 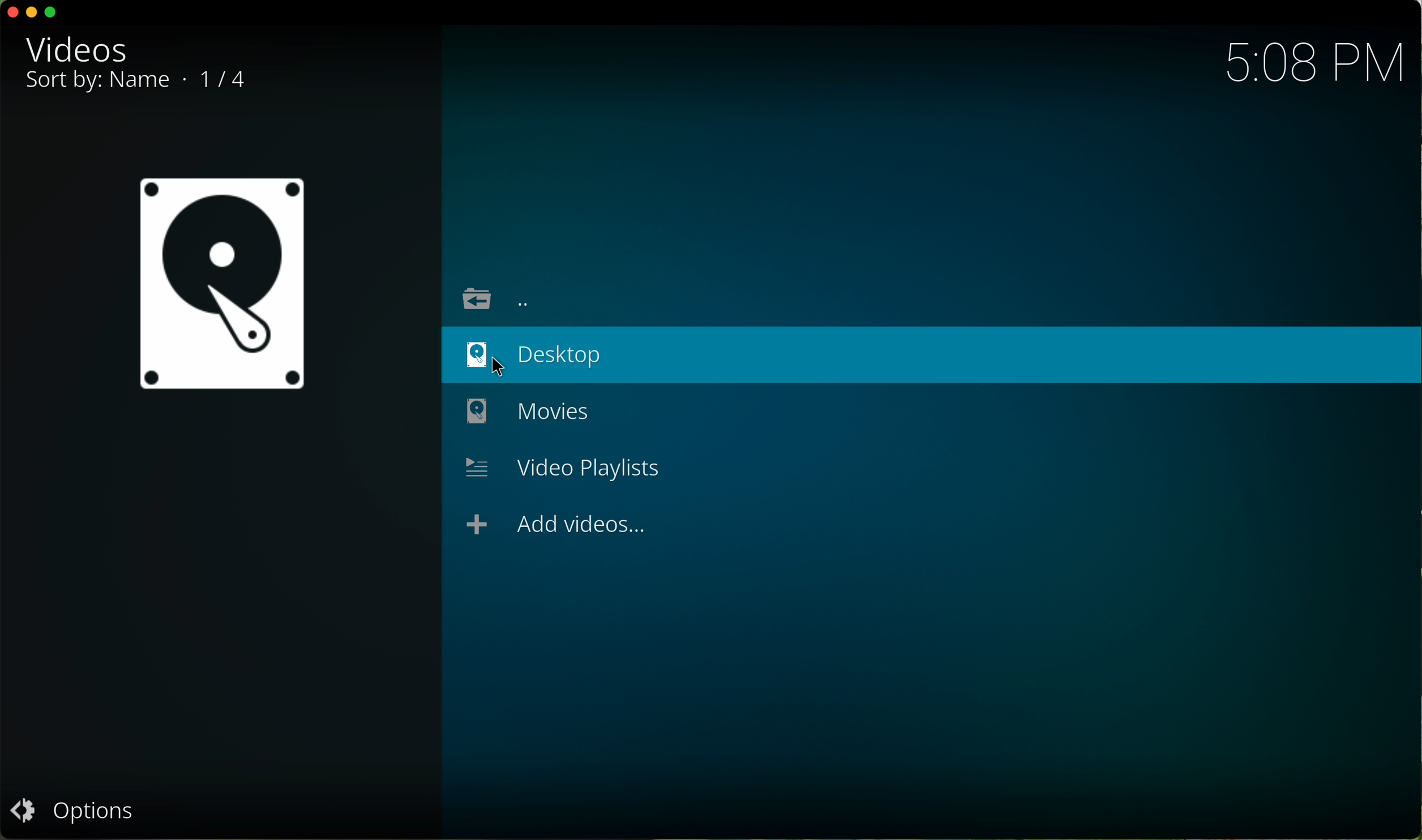 I want to click on cursor, so click(x=511, y=367).